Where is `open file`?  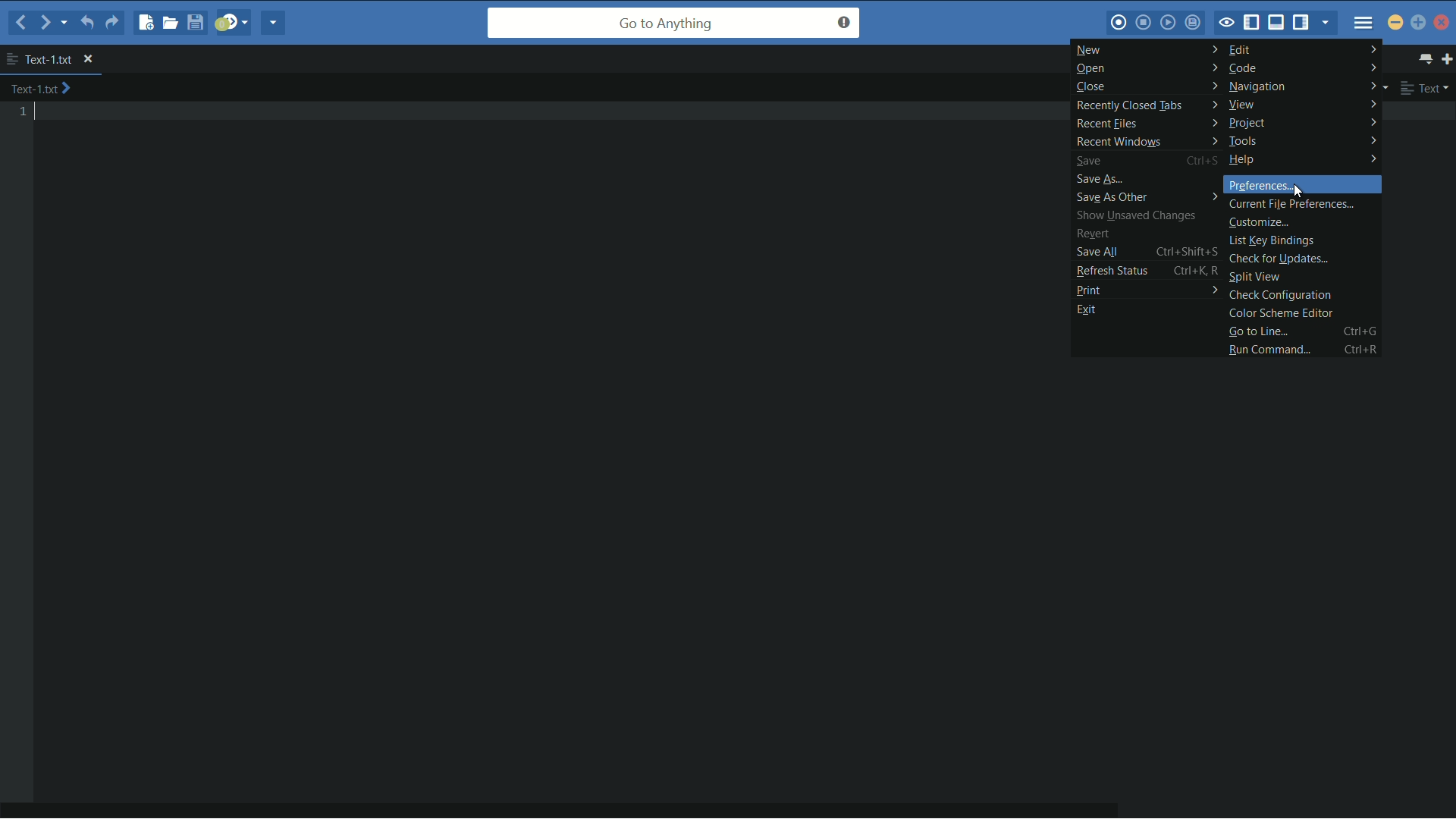 open file is located at coordinates (172, 22).